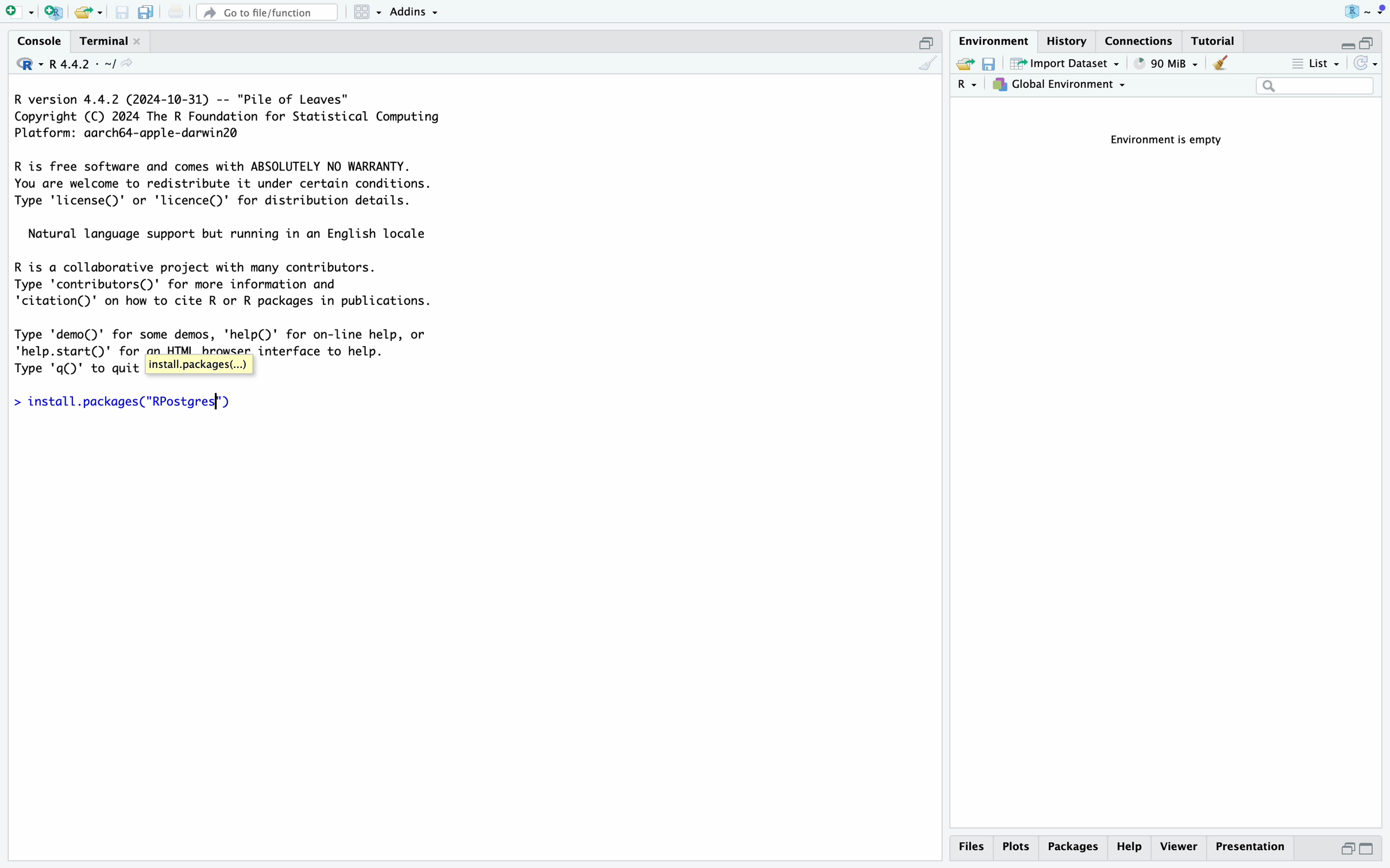  What do you see at coordinates (1368, 65) in the screenshot?
I see `refresh the list of objects in the environment` at bounding box center [1368, 65].